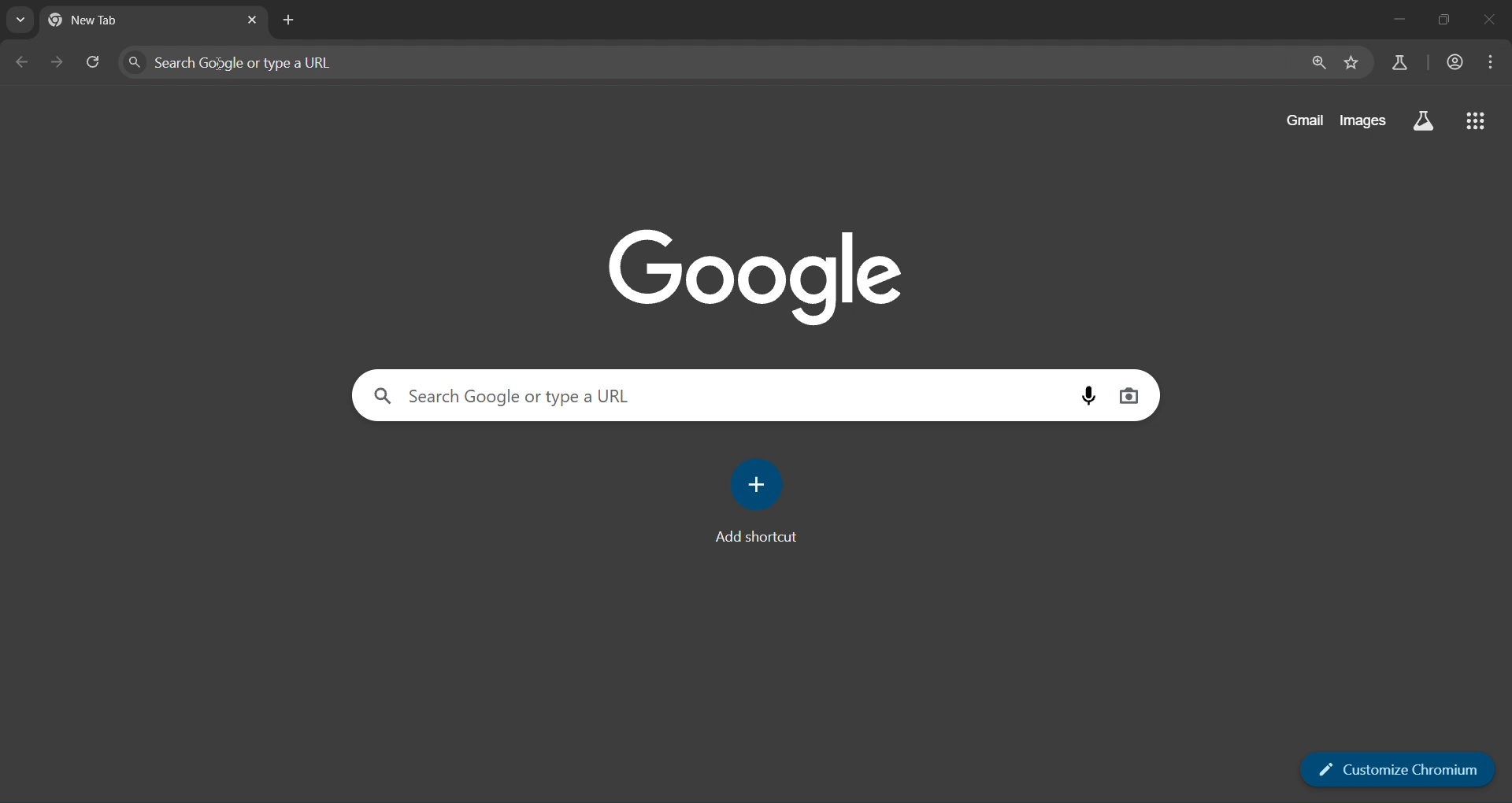  Describe the element at coordinates (712, 65) in the screenshot. I see `search google or type a URL` at that location.